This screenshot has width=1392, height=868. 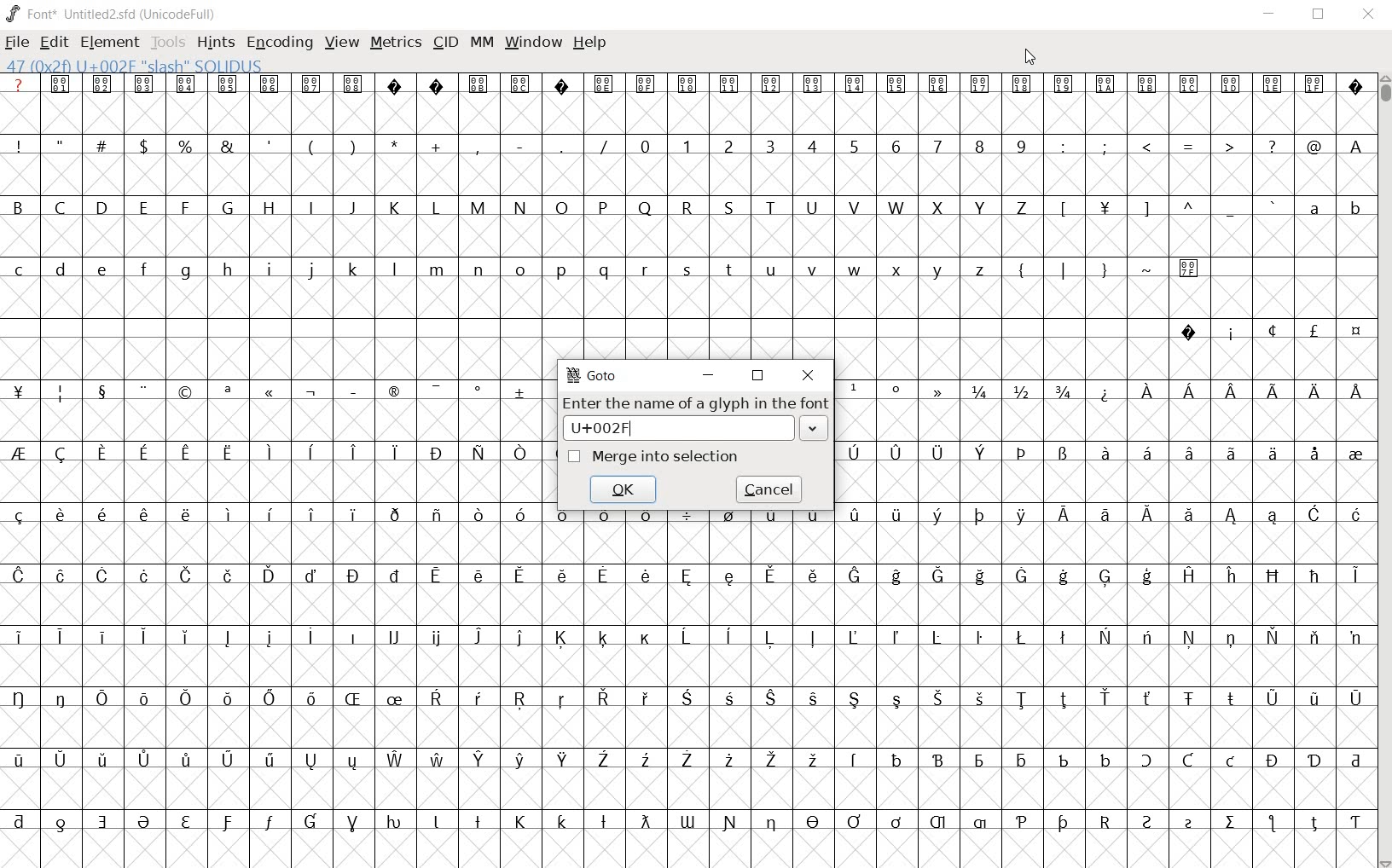 I want to click on cancel, so click(x=767, y=489).